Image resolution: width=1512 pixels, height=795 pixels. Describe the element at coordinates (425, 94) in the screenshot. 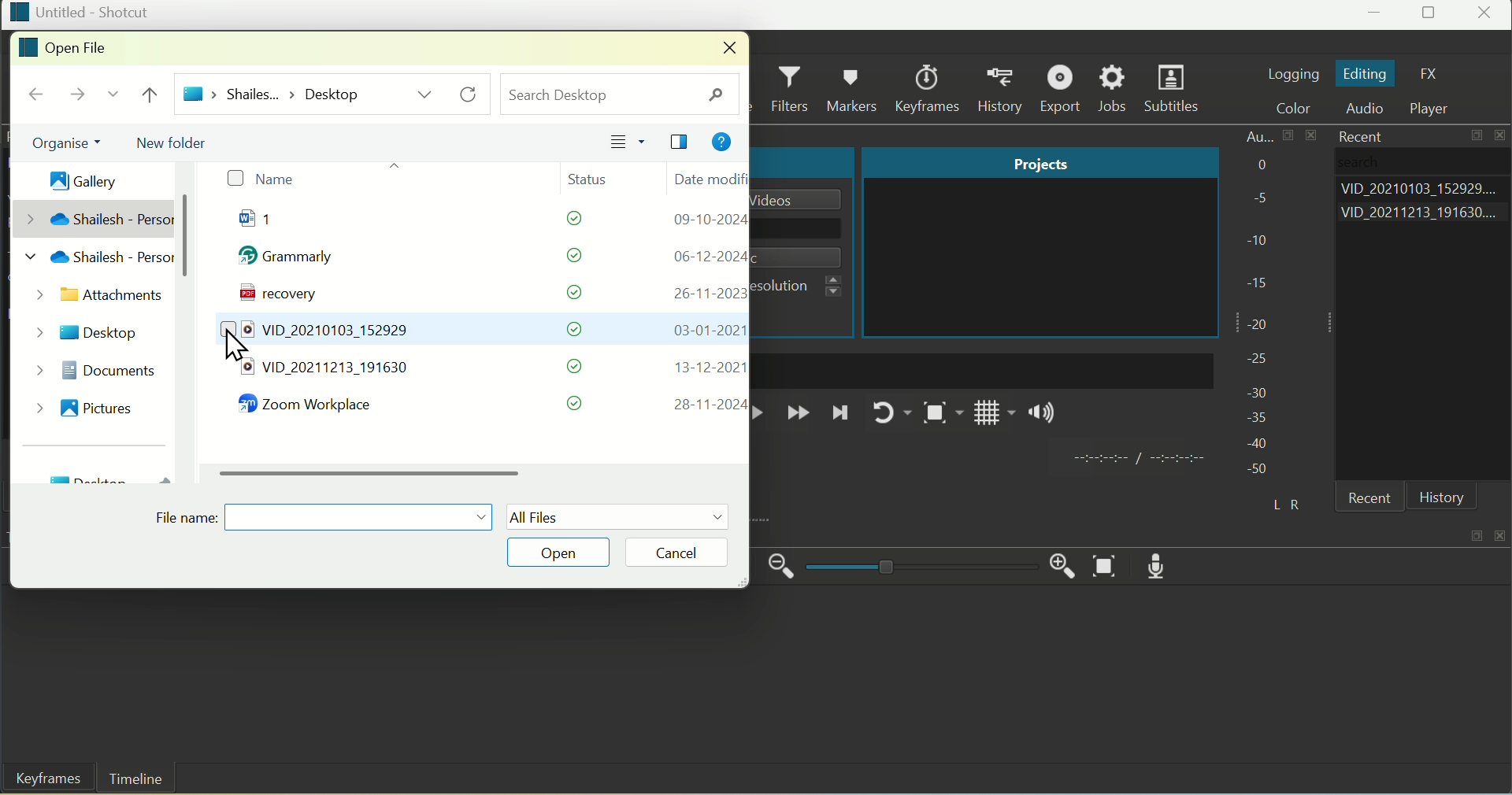

I see `more options` at that location.